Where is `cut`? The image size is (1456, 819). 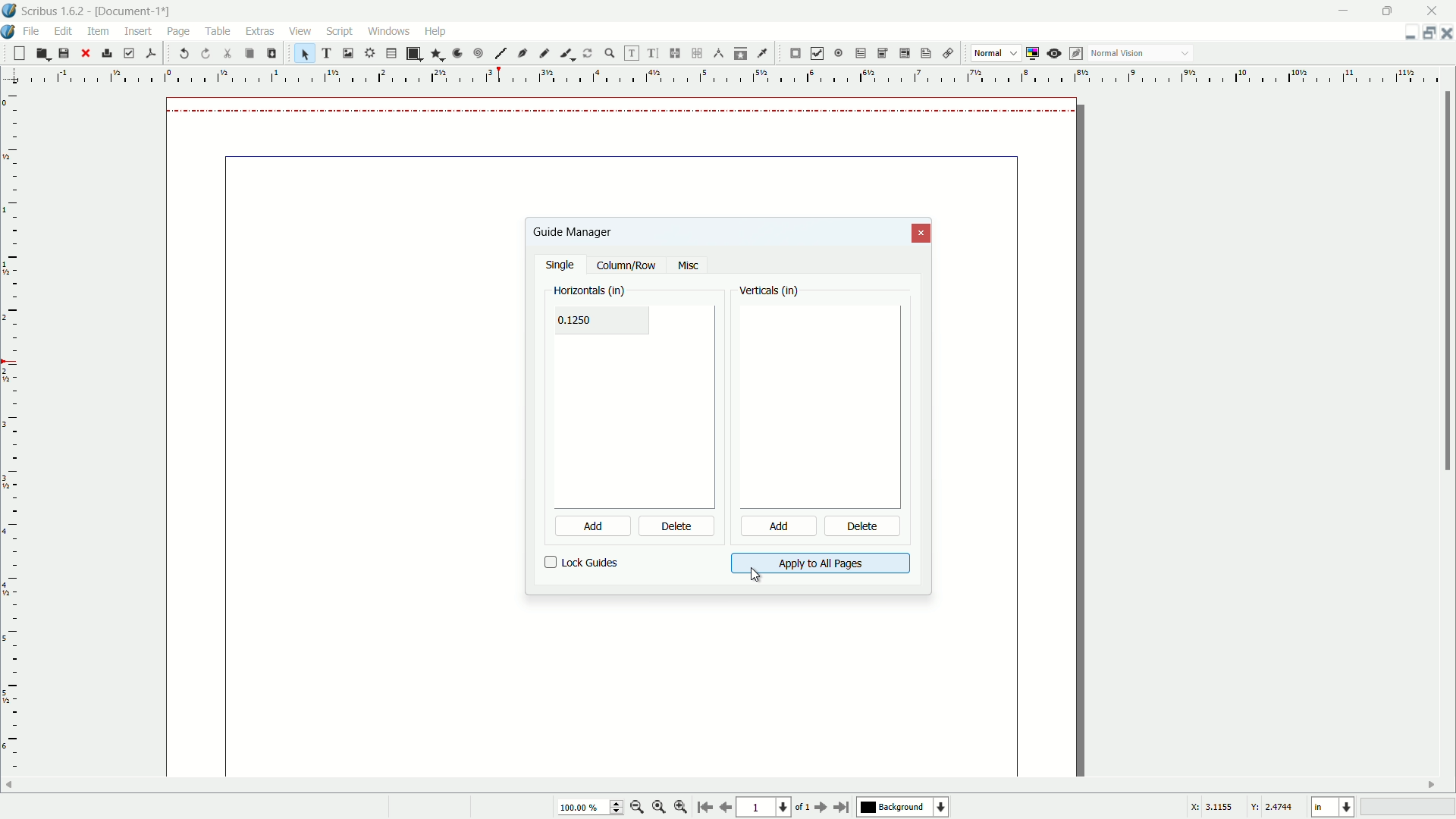
cut is located at coordinates (228, 53).